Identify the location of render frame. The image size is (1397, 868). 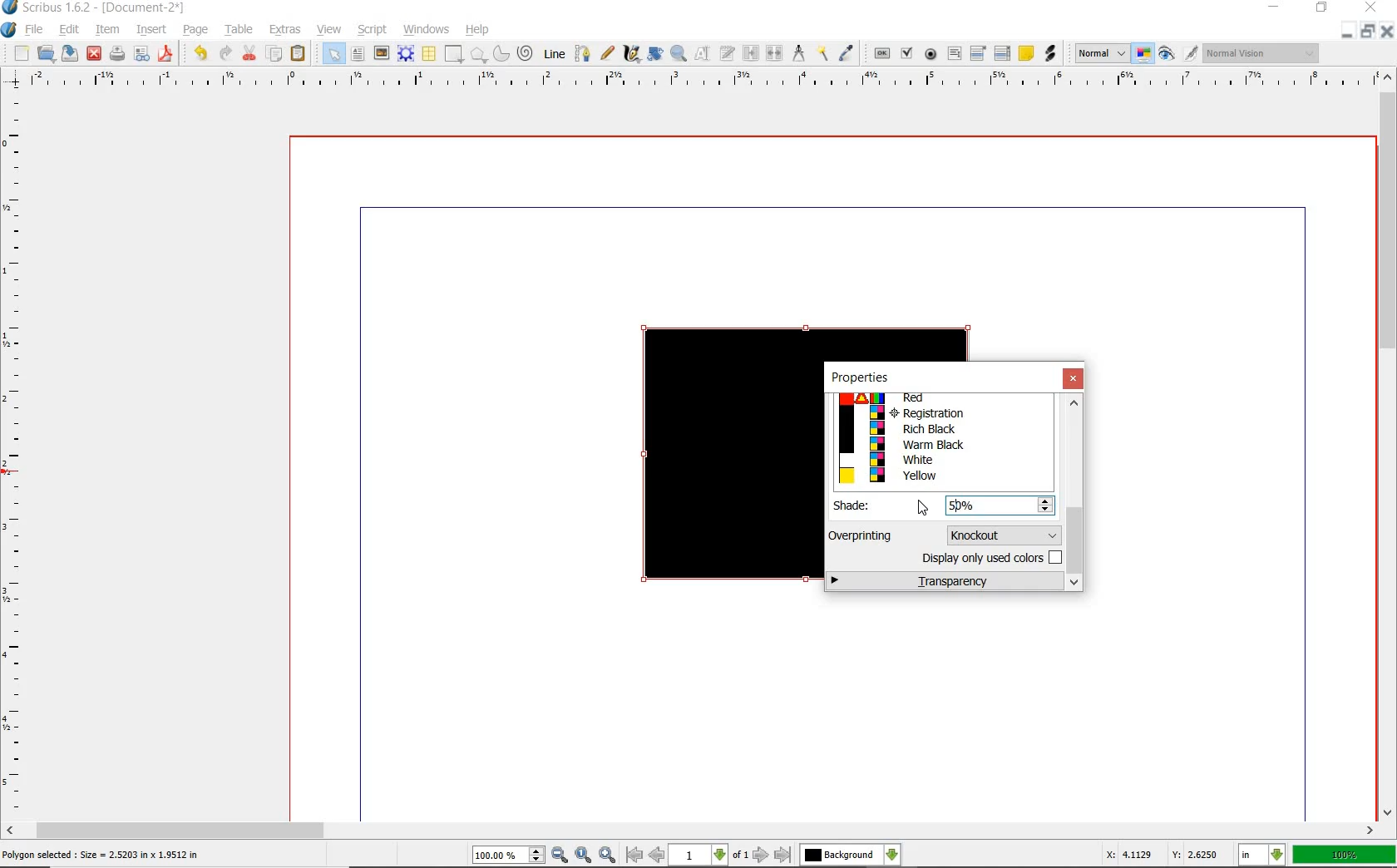
(404, 53).